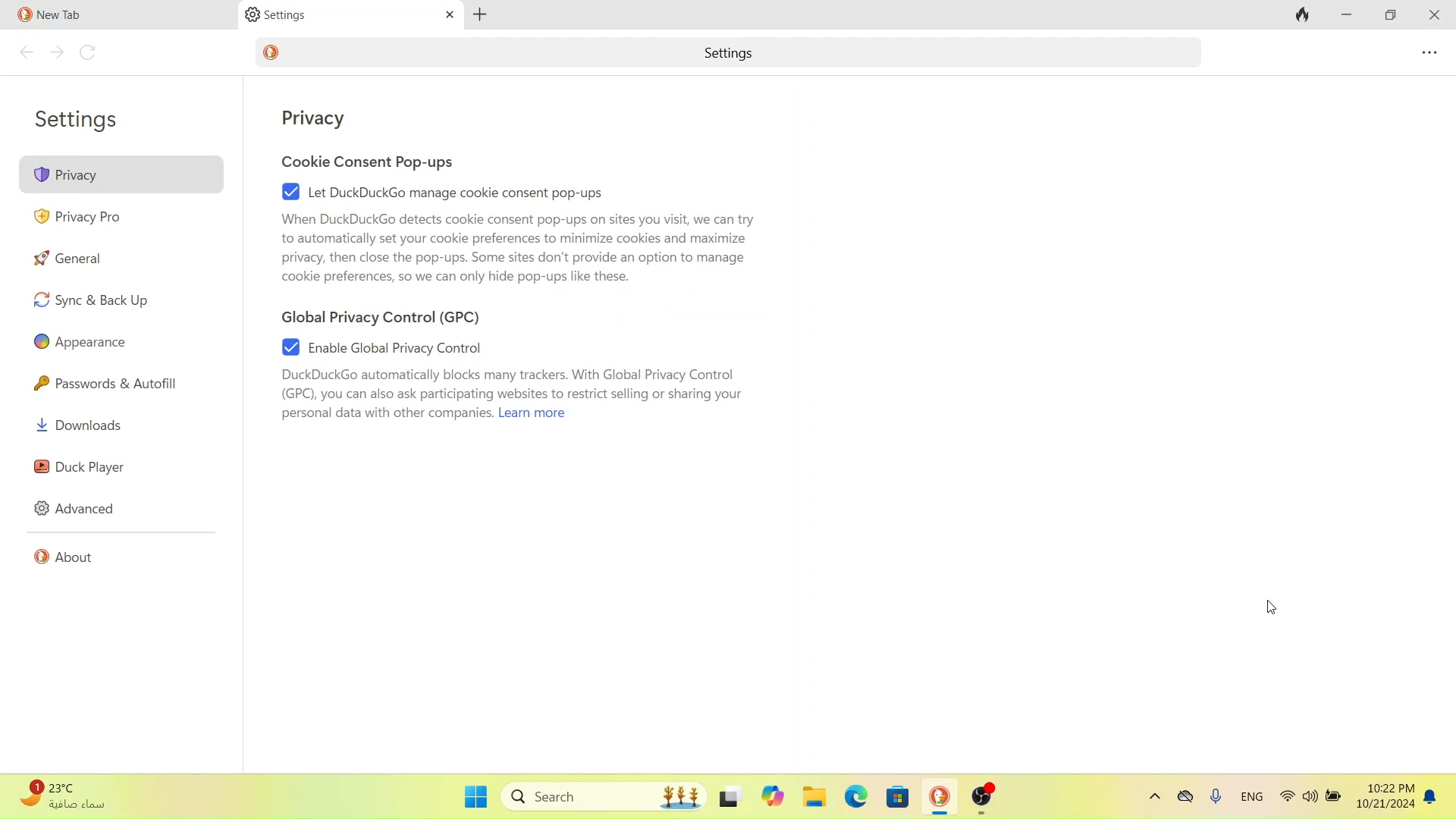 This screenshot has height=819, width=1456. I want to click on , so click(730, 794).